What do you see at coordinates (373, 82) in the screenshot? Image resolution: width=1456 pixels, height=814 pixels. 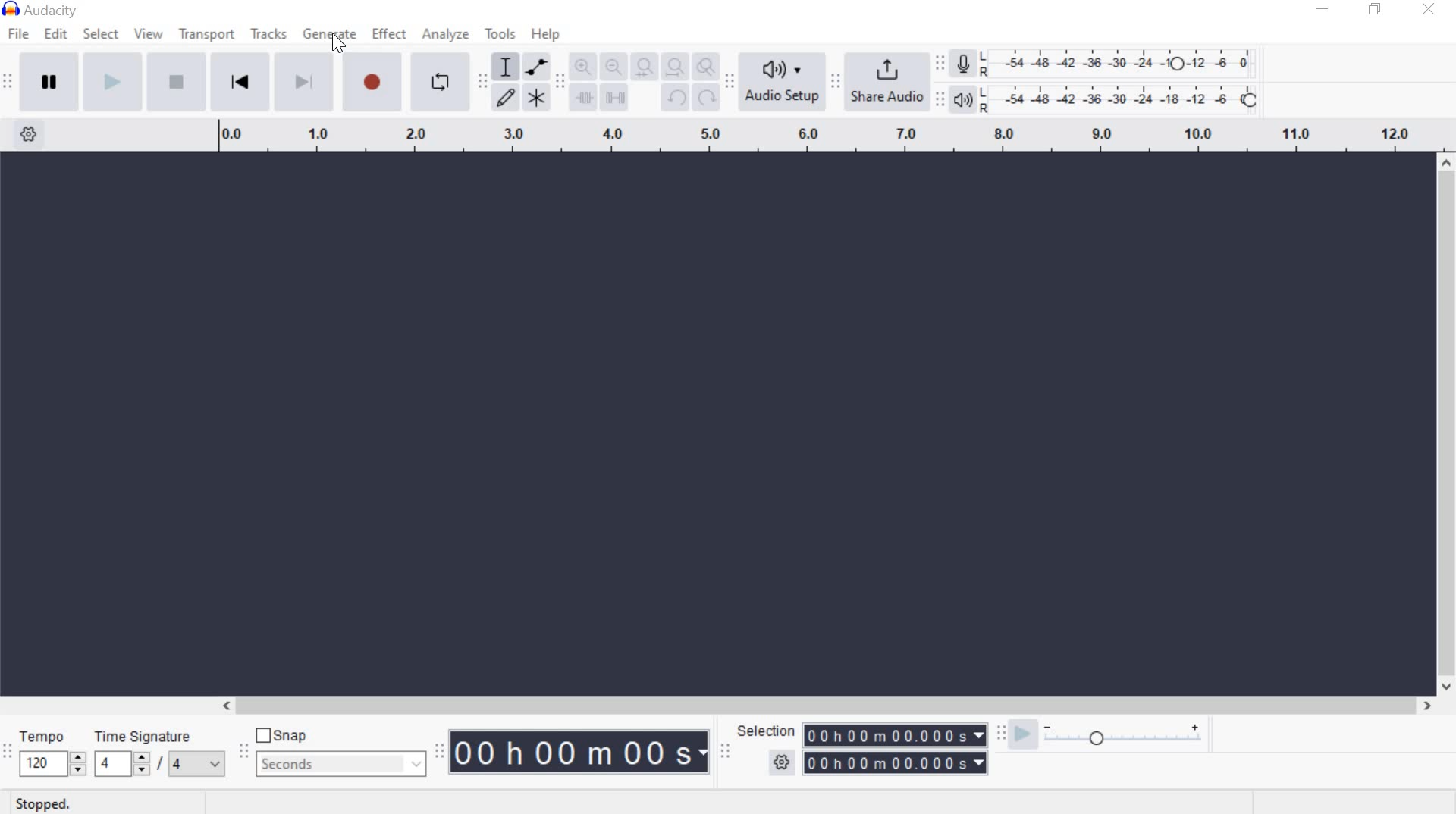 I see `Record` at bounding box center [373, 82].